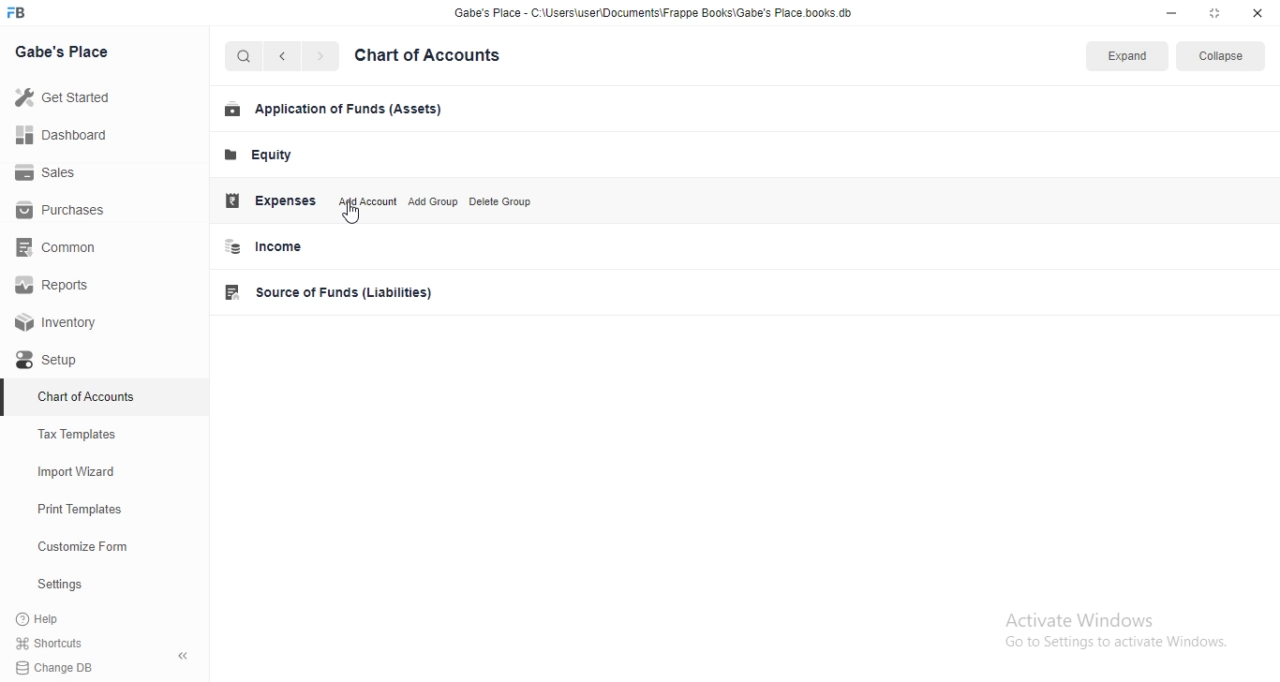  I want to click on next, so click(327, 58).